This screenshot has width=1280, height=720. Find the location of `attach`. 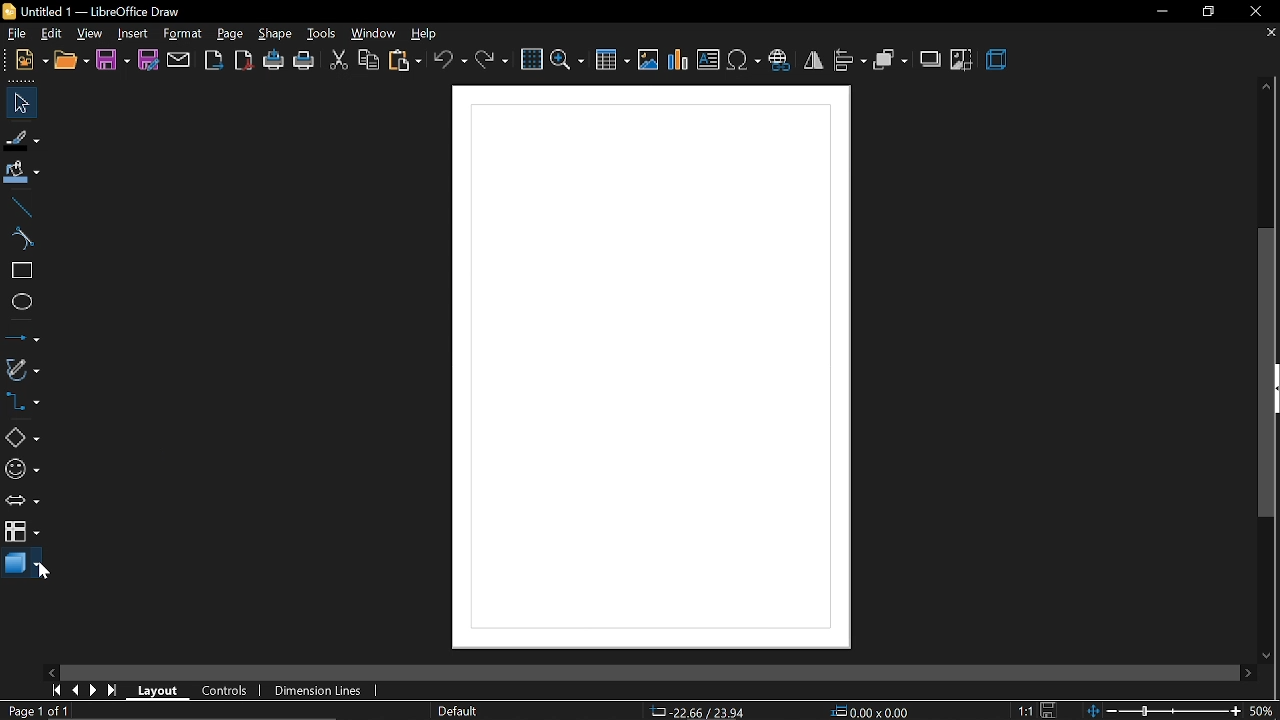

attach is located at coordinates (179, 61).